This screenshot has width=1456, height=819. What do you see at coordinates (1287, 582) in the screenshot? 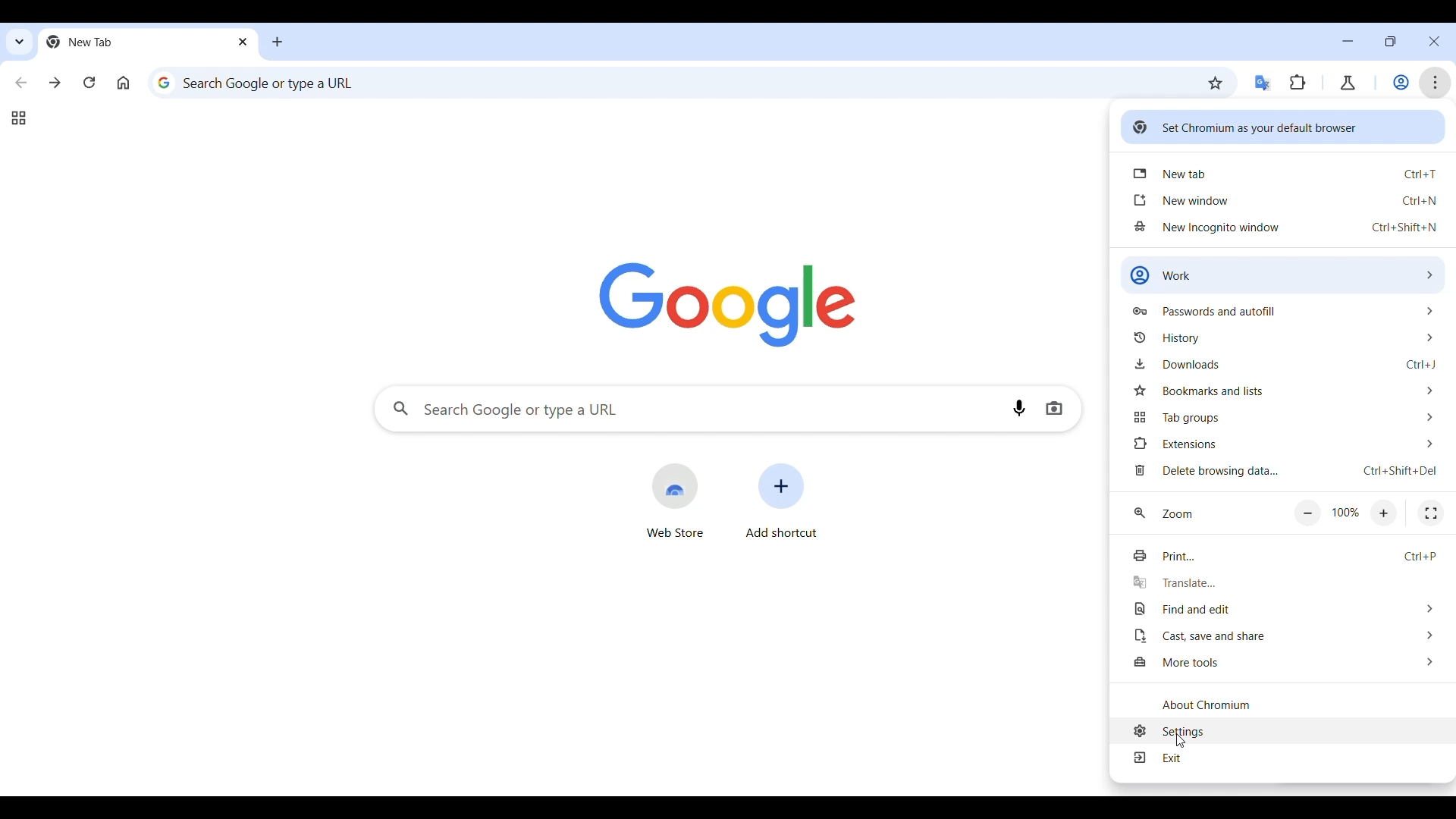
I see `Translate` at bounding box center [1287, 582].